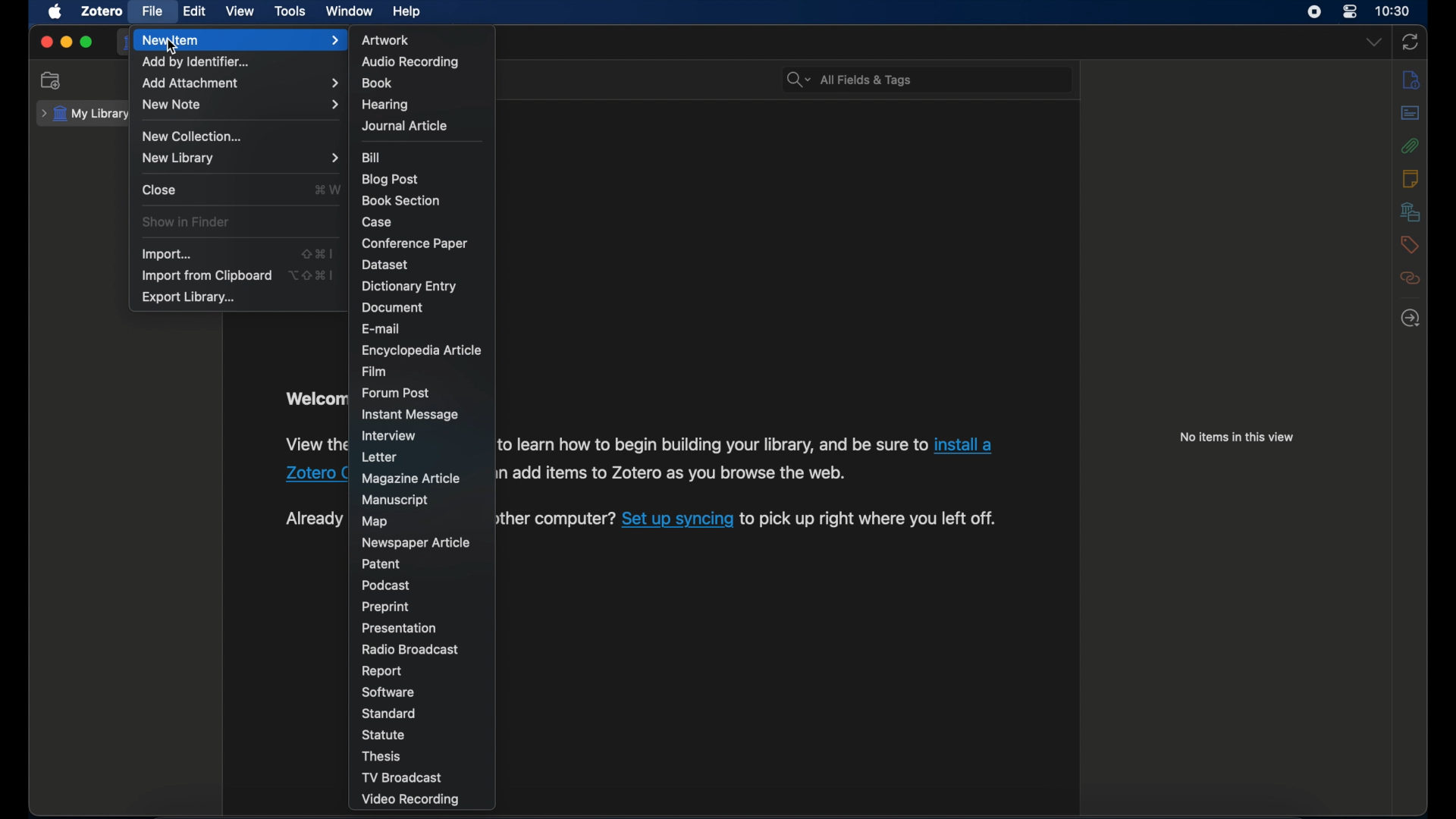 The height and width of the screenshot is (819, 1456). I want to click on view, so click(241, 12).